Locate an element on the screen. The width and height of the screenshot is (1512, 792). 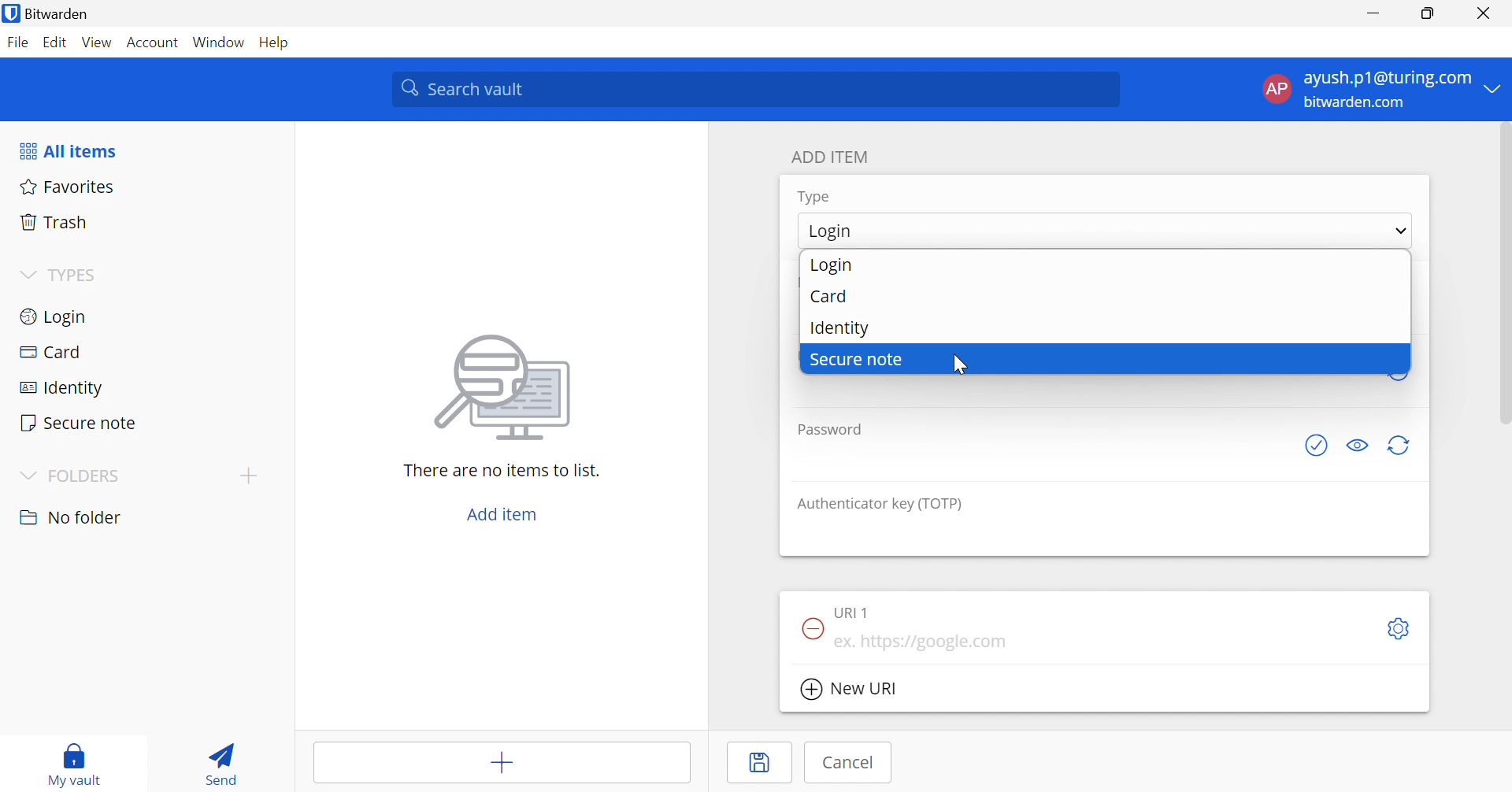
File is located at coordinates (18, 43).